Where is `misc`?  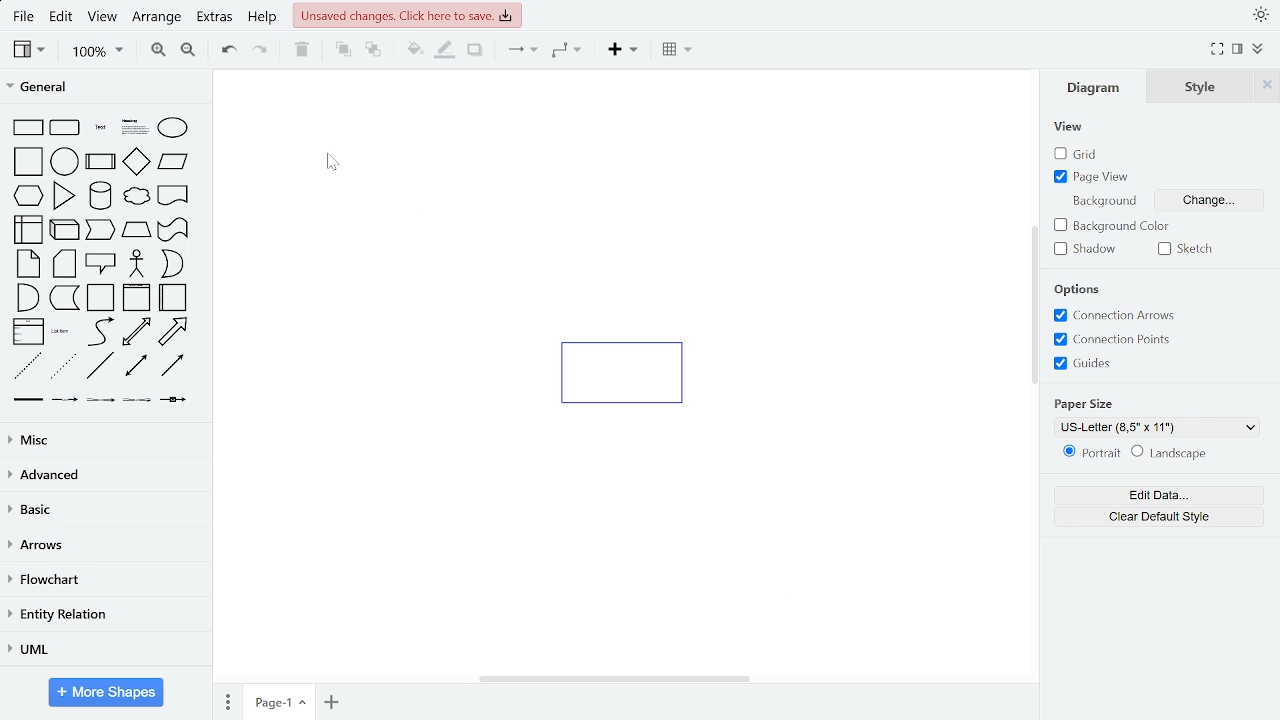
misc is located at coordinates (102, 439).